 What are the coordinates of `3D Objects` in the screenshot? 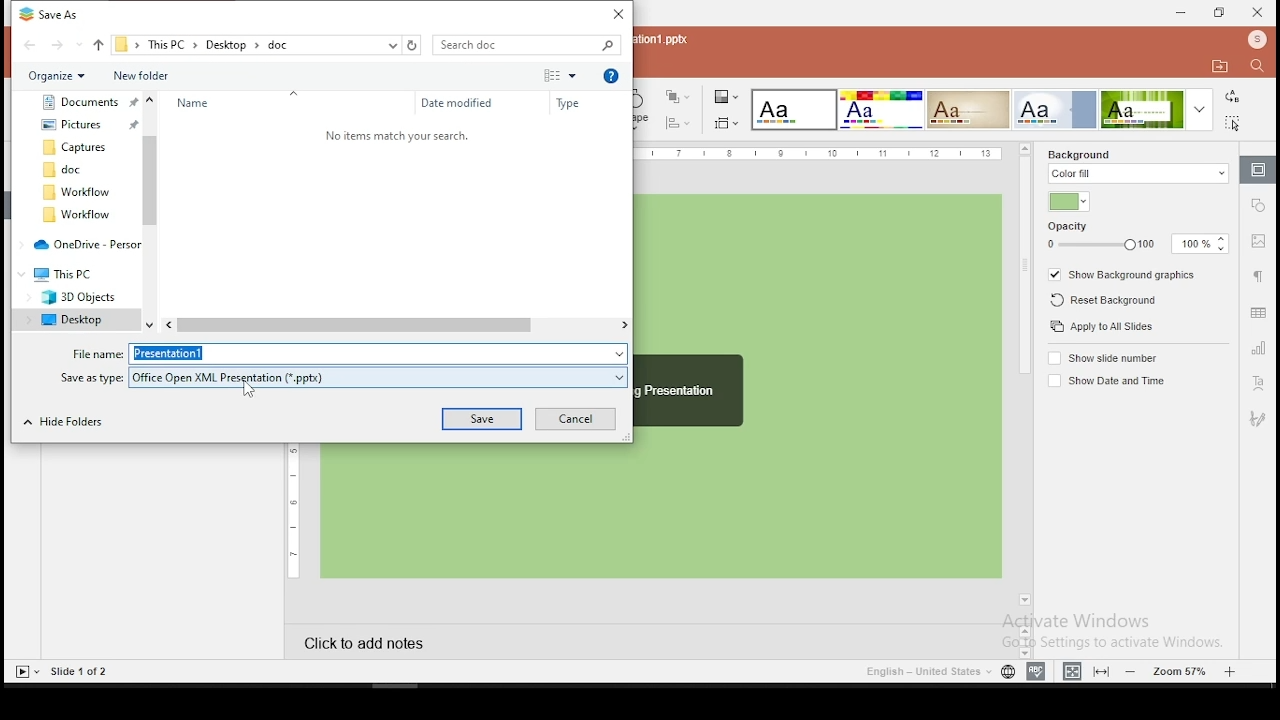 It's located at (73, 298).